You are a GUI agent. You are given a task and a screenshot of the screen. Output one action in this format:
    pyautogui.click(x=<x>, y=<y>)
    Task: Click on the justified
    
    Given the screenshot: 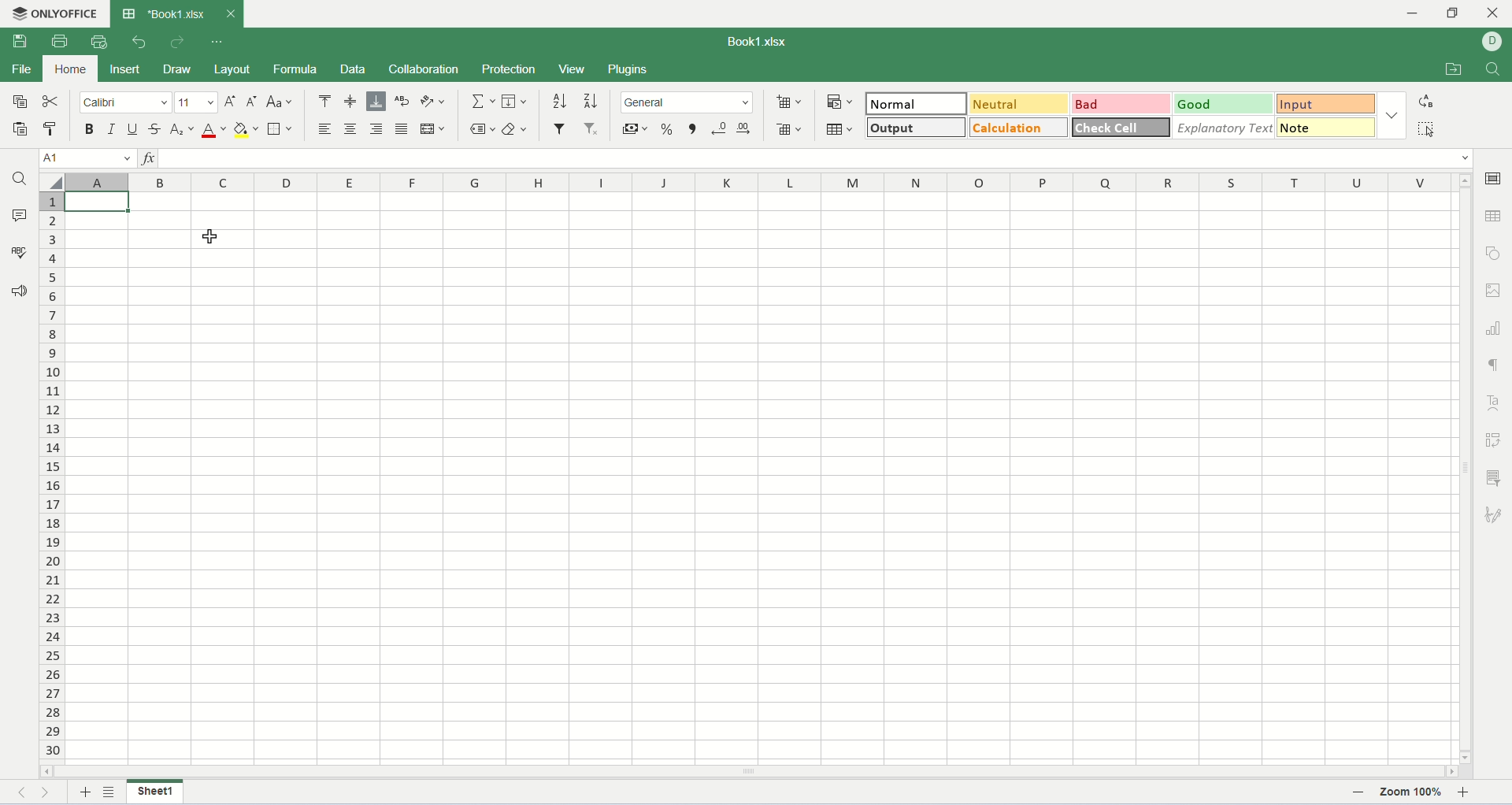 What is the action you would take?
    pyautogui.click(x=402, y=129)
    